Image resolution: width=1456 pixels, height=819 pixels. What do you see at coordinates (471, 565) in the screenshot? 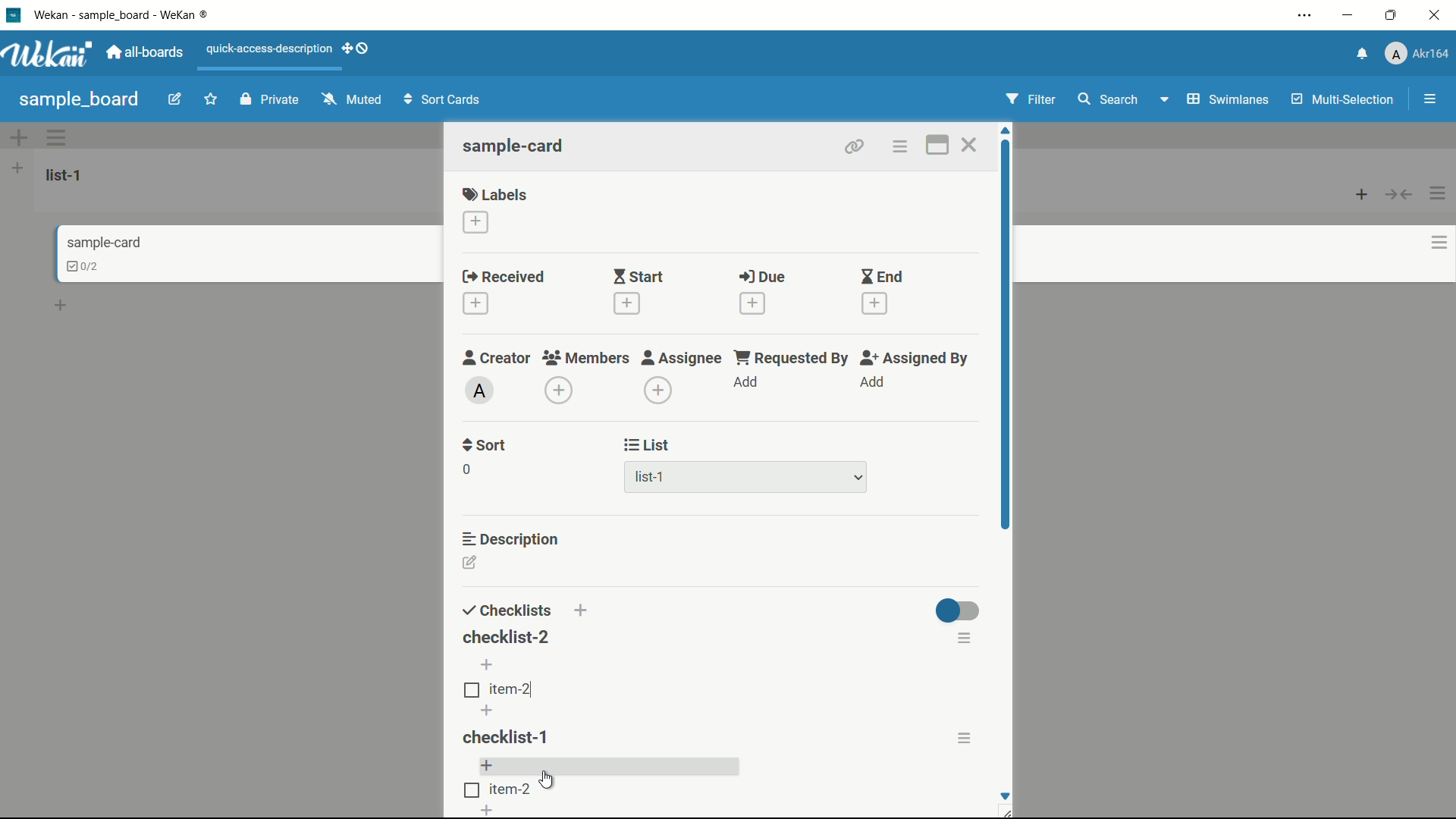
I see `add description` at bounding box center [471, 565].